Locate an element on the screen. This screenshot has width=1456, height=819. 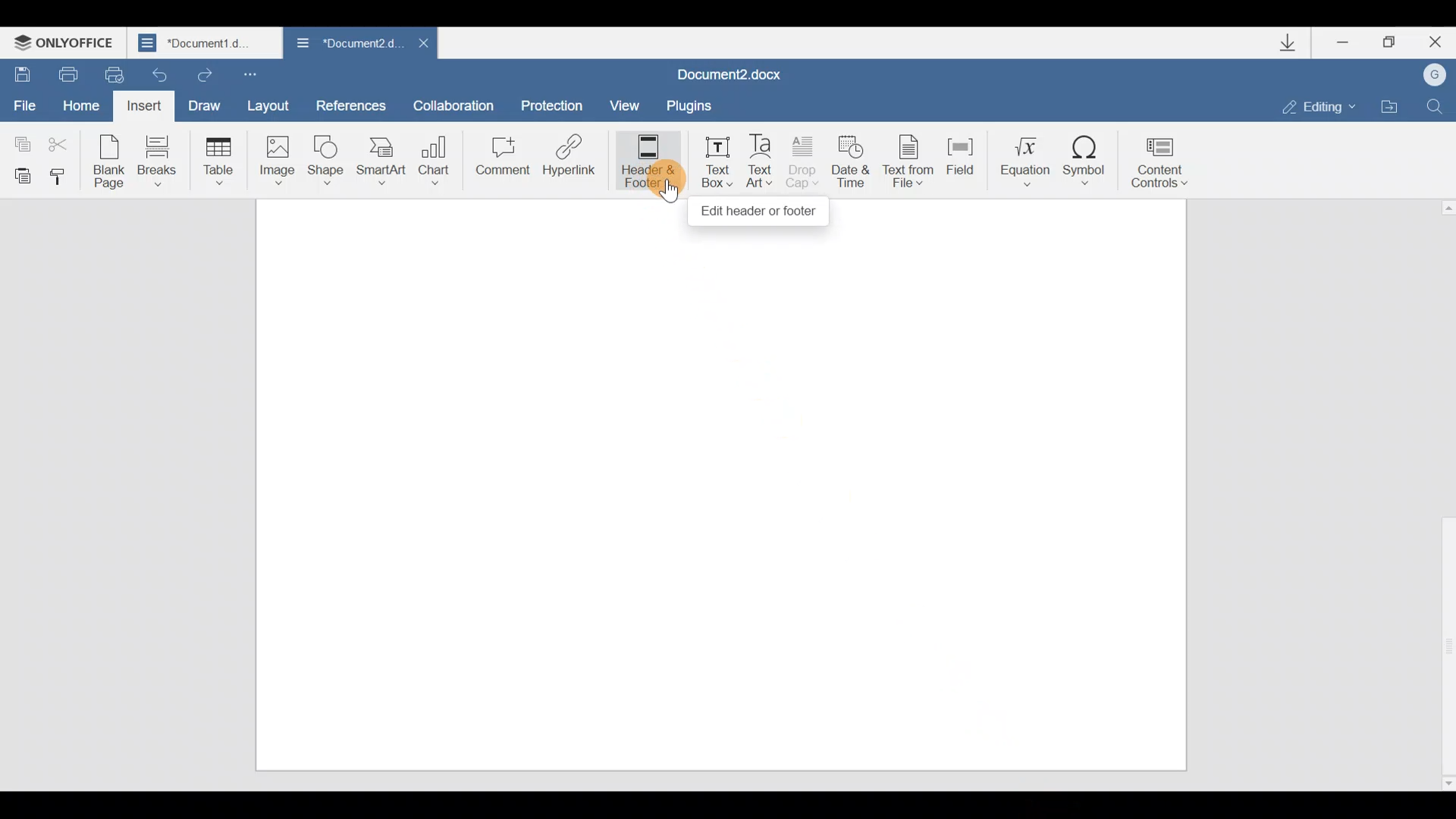
Insert is located at coordinates (142, 106).